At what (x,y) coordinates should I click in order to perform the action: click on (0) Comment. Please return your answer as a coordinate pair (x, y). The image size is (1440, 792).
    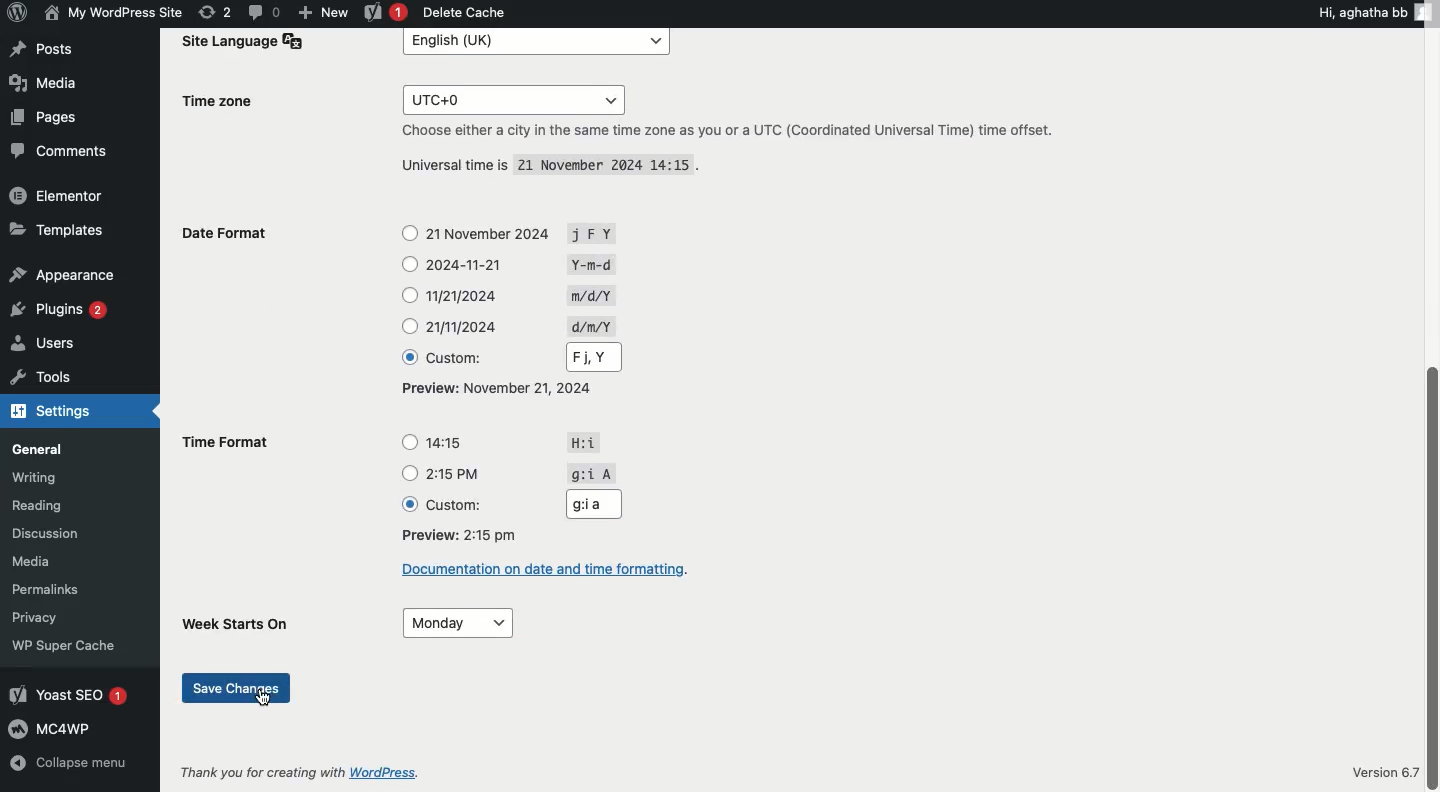
    Looking at the image, I should click on (263, 12).